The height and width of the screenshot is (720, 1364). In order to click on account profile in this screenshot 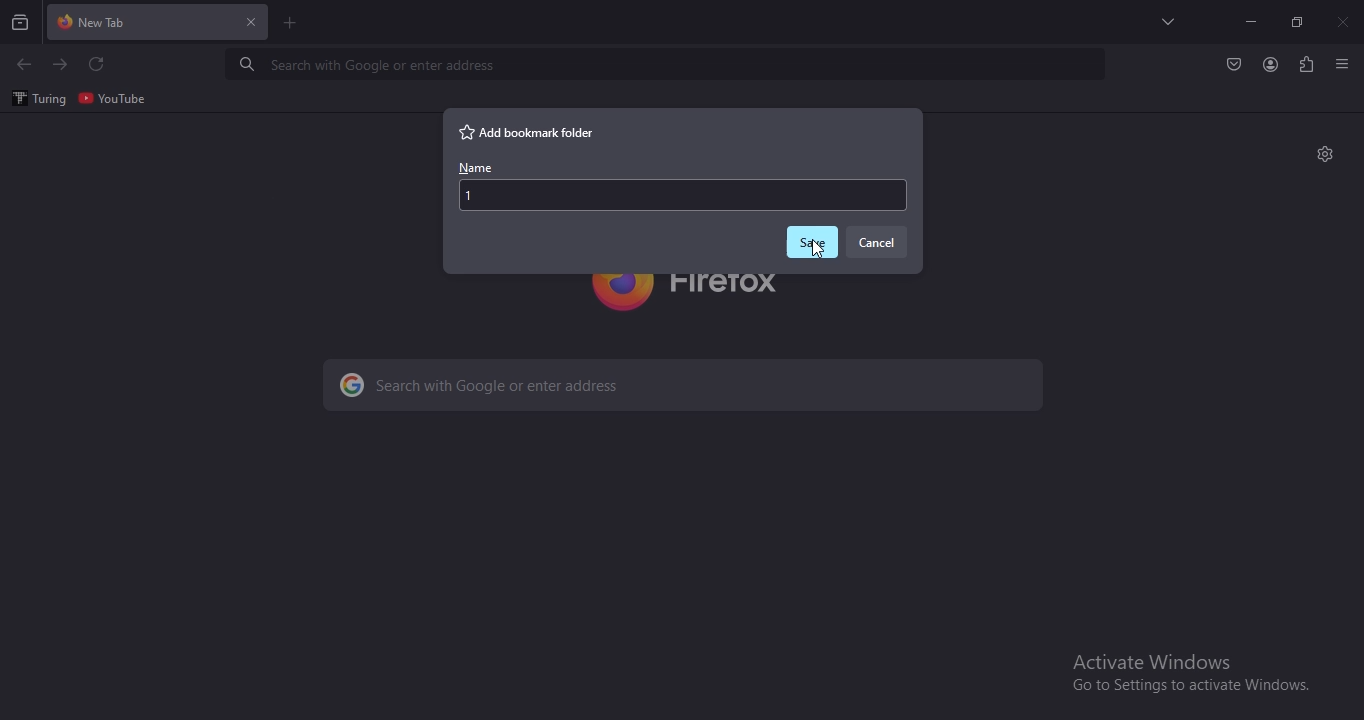, I will do `click(1269, 66)`.